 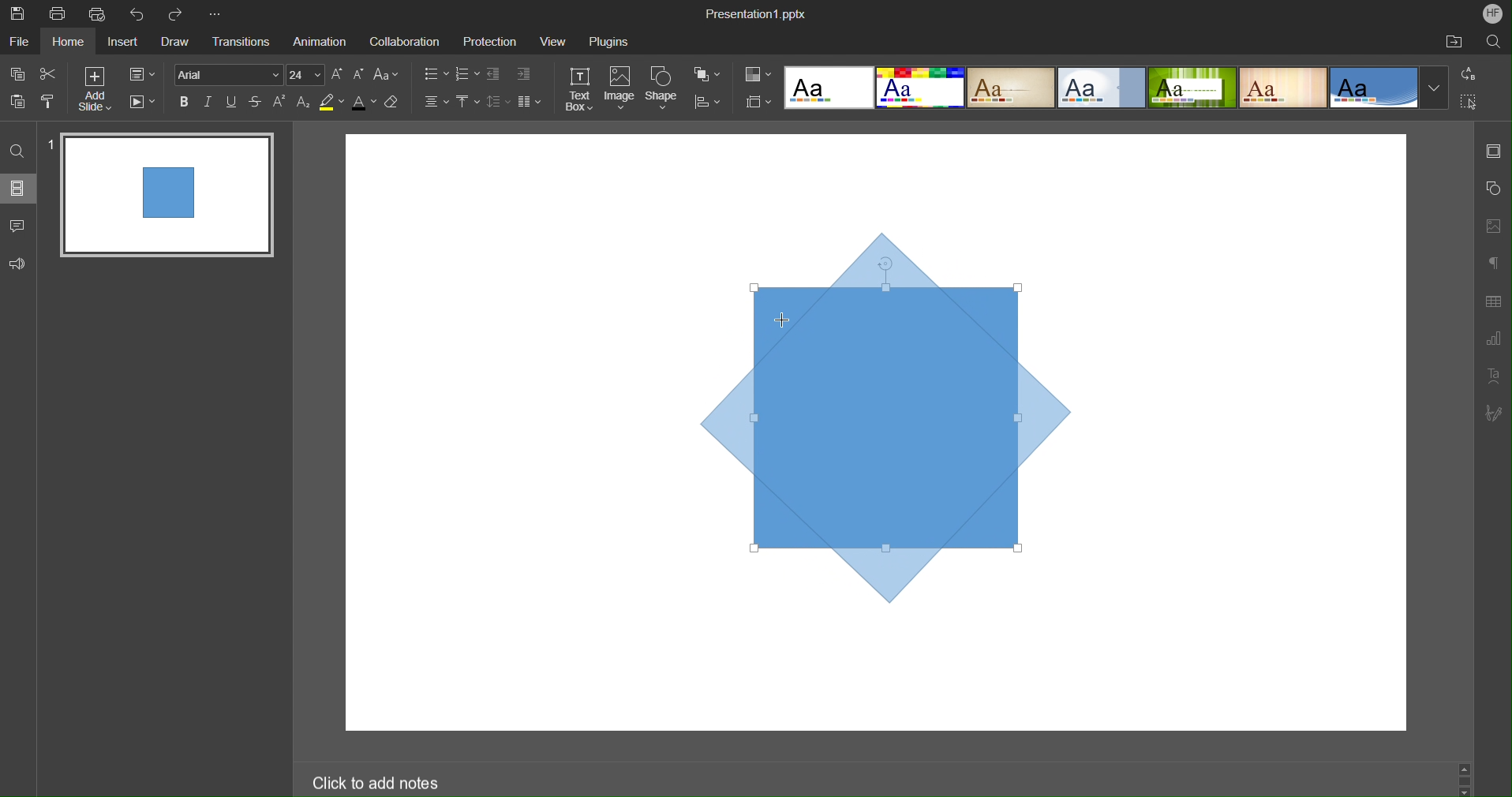 I want to click on Slide Size, so click(x=757, y=101).